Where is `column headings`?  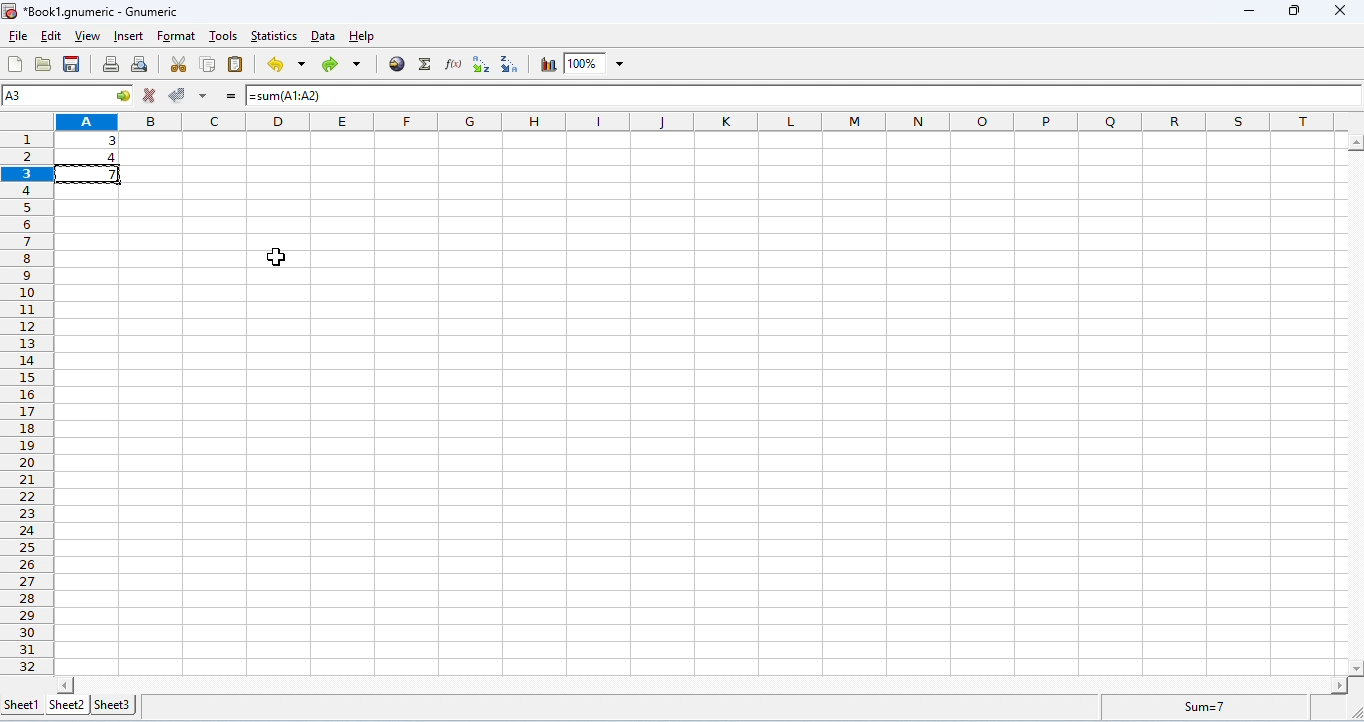
column headings is located at coordinates (699, 121).